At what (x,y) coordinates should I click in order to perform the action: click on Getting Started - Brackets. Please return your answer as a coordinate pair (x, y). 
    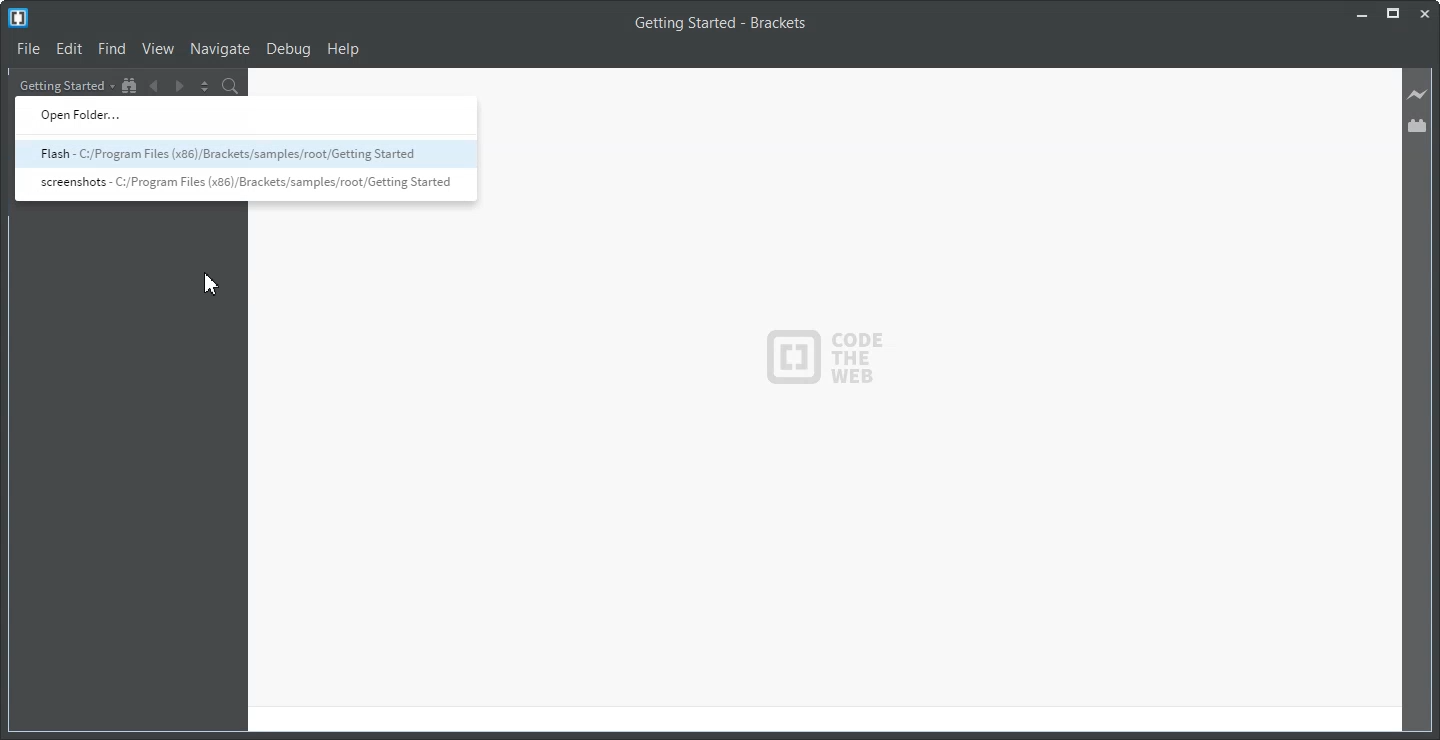
    Looking at the image, I should click on (720, 24).